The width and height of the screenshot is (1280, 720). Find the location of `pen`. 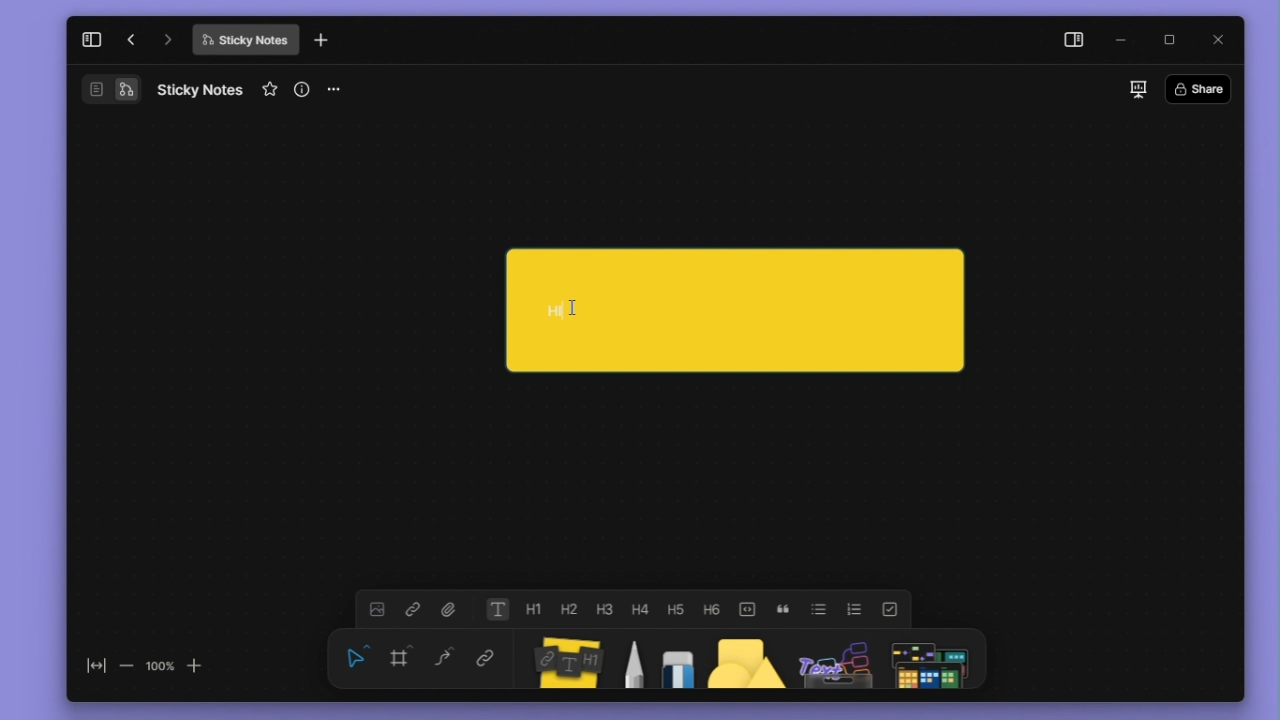

pen is located at coordinates (637, 661).